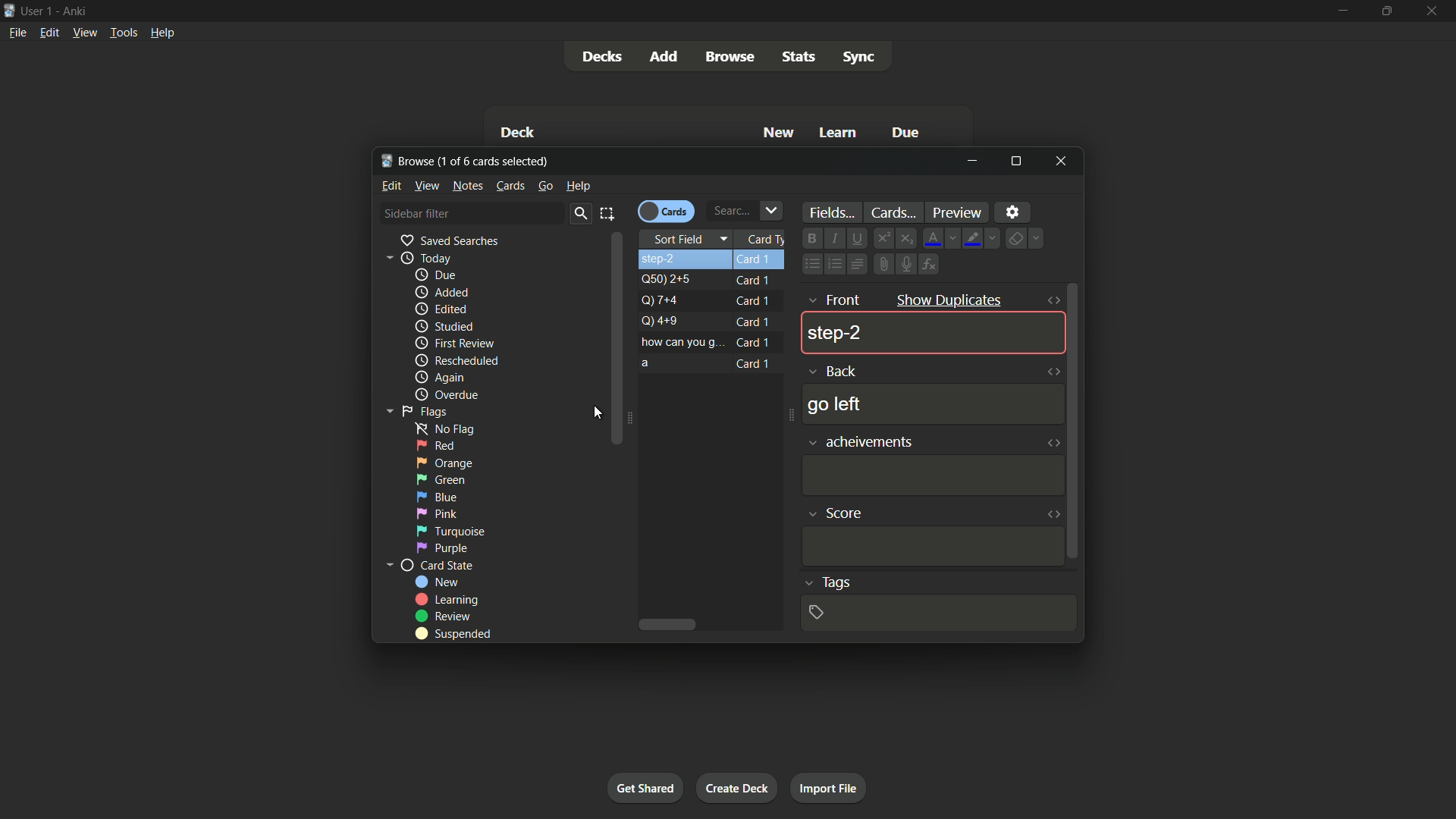  Describe the element at coordinates (594, 413) in the screenshot. I see `Cursor` at that location.